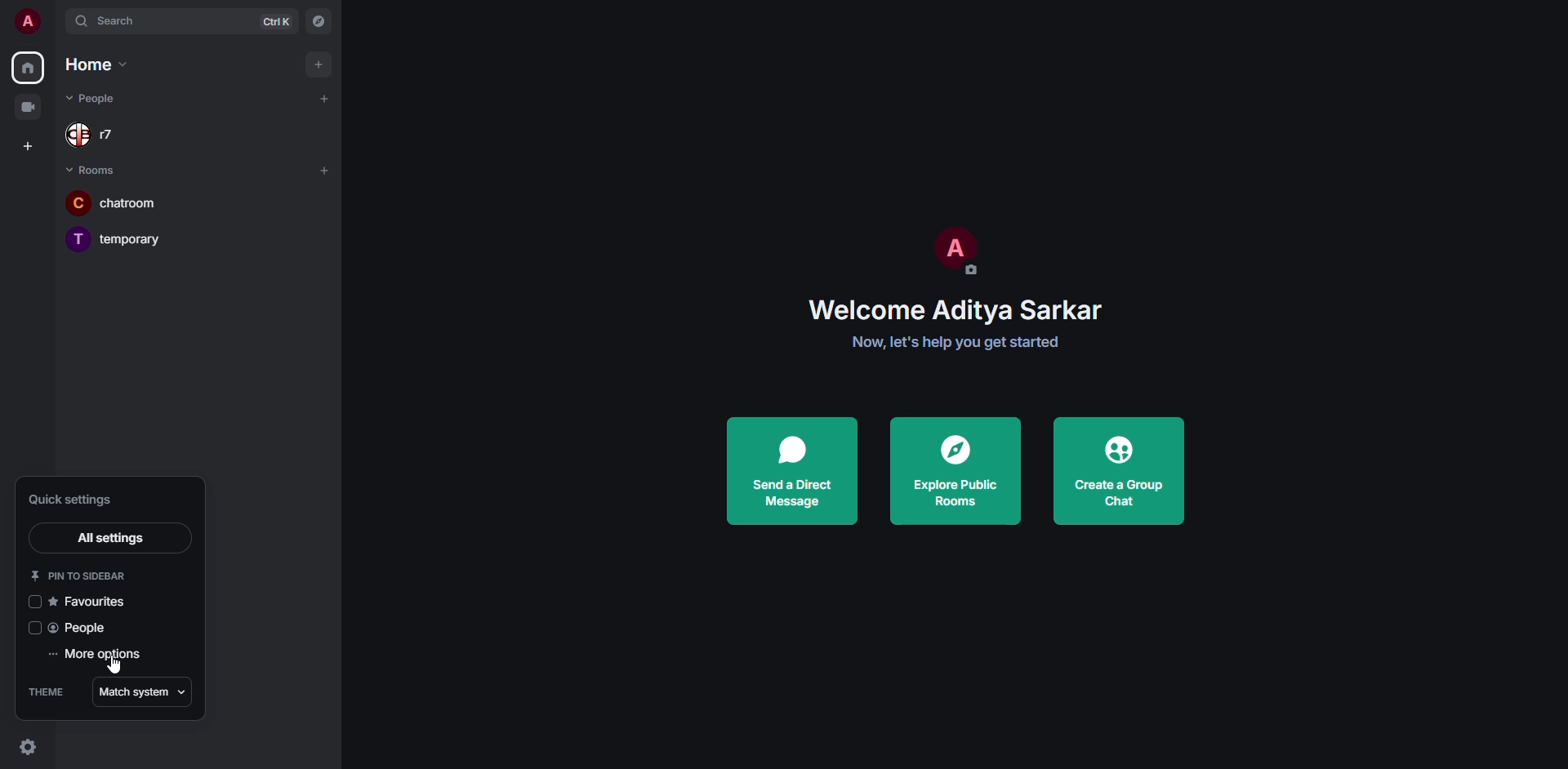 The height and width of the screenshot is (769, 1568). I want to click on match system, so click(142, 691).